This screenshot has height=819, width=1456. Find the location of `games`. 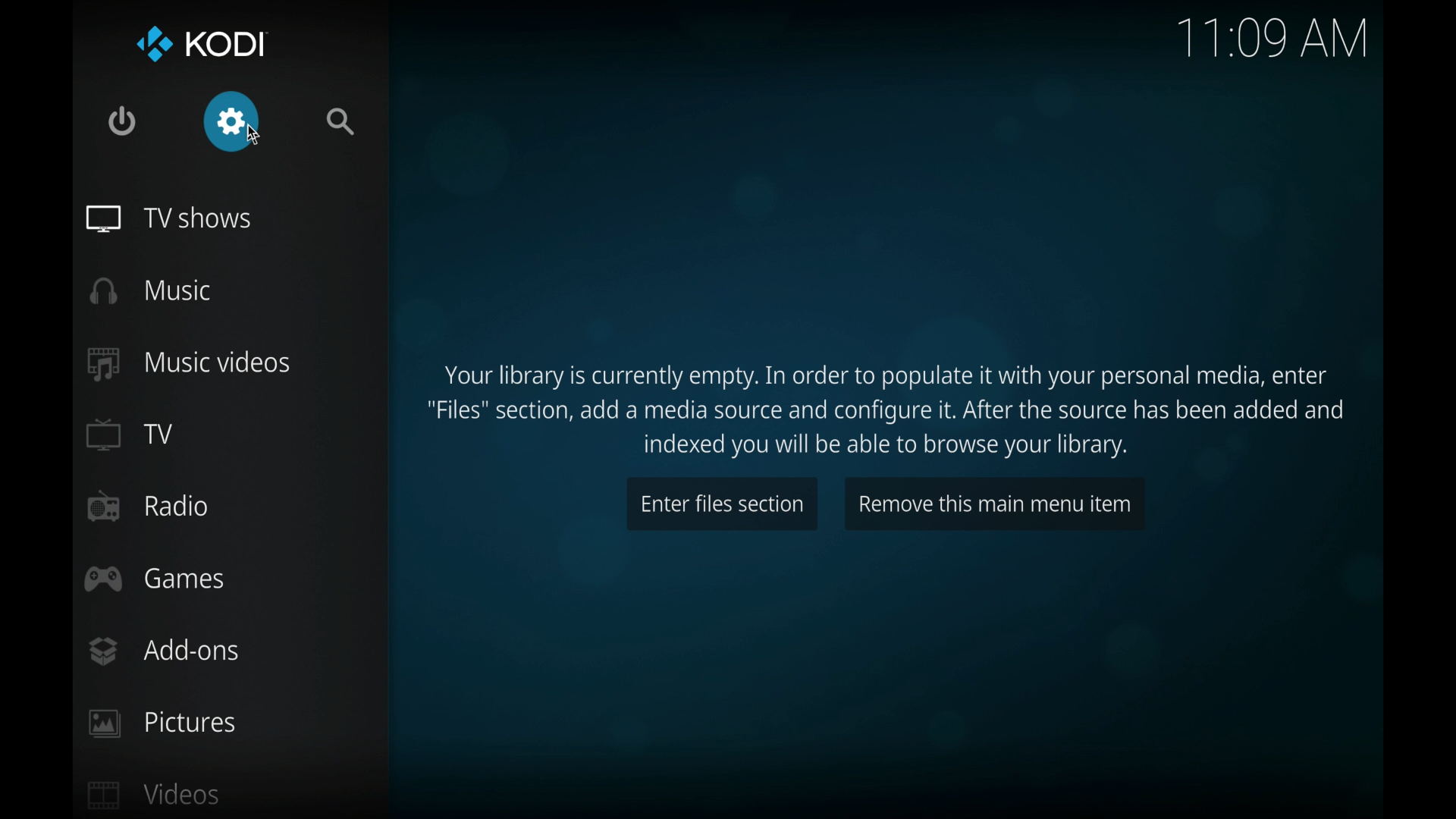

games is located at coordinates (155, 578).